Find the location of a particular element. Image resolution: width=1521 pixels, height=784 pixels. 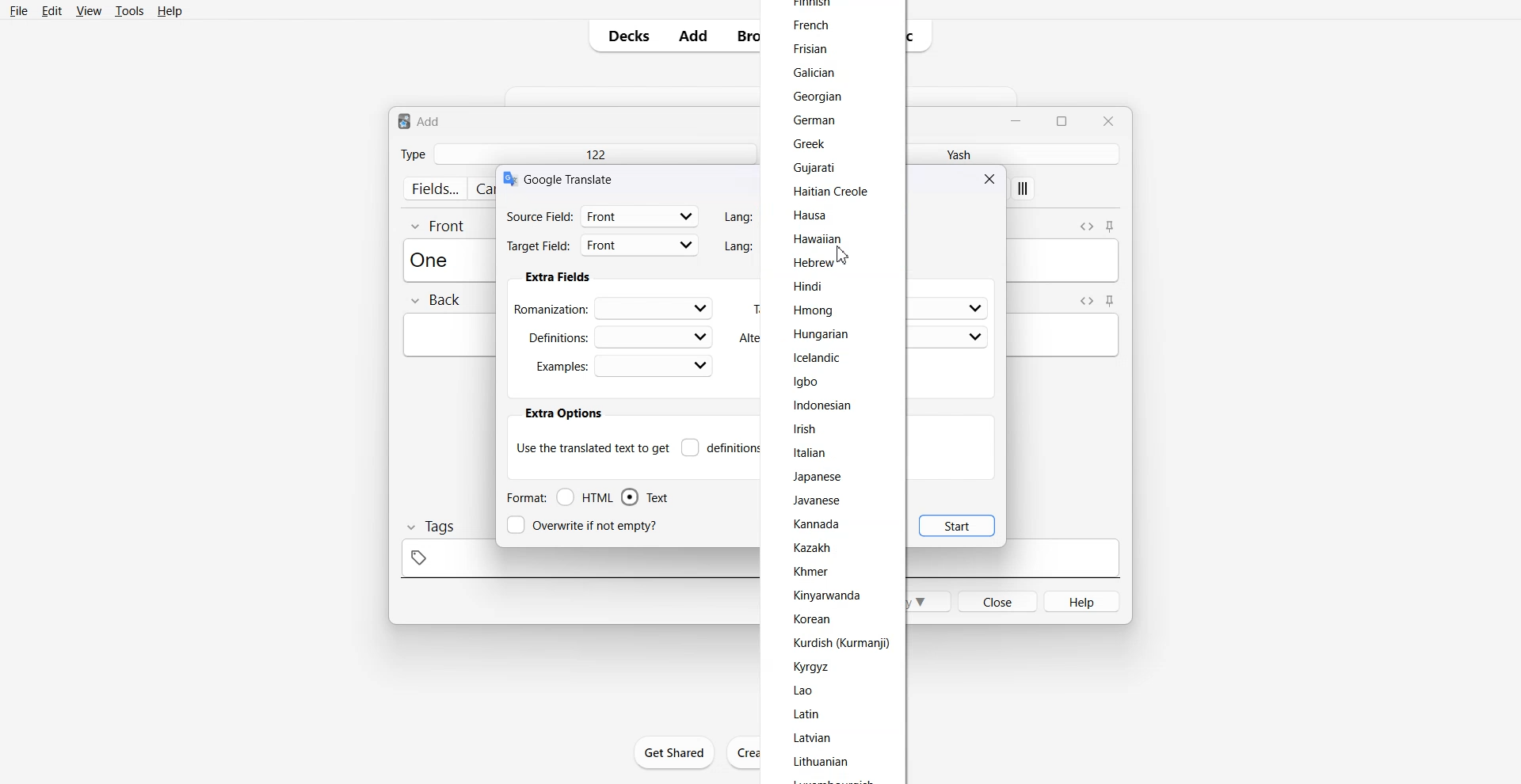

dropdown is located at coordinates (974, 309).